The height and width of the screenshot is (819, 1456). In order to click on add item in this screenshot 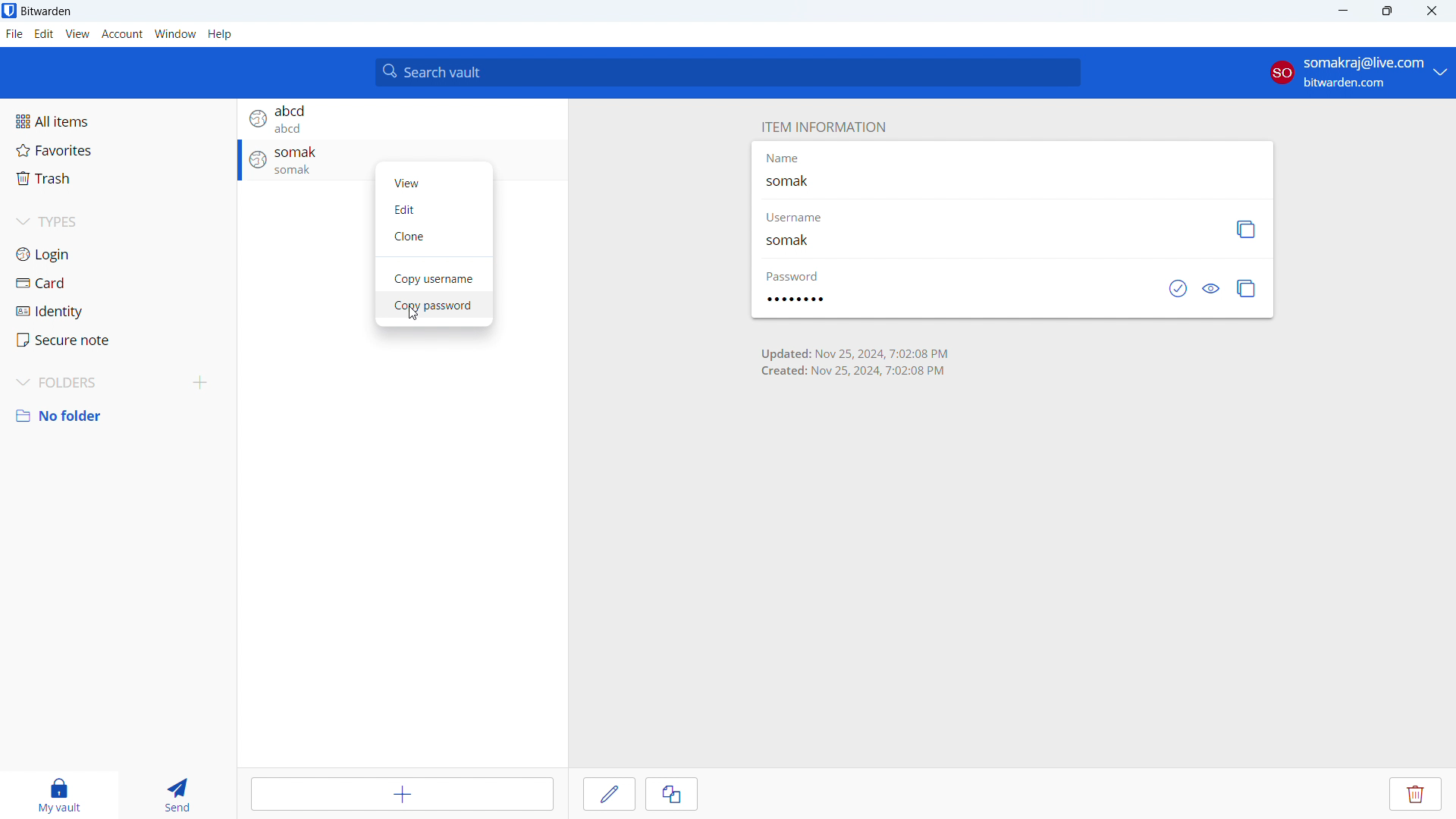, I will do `click(402, 794)`.